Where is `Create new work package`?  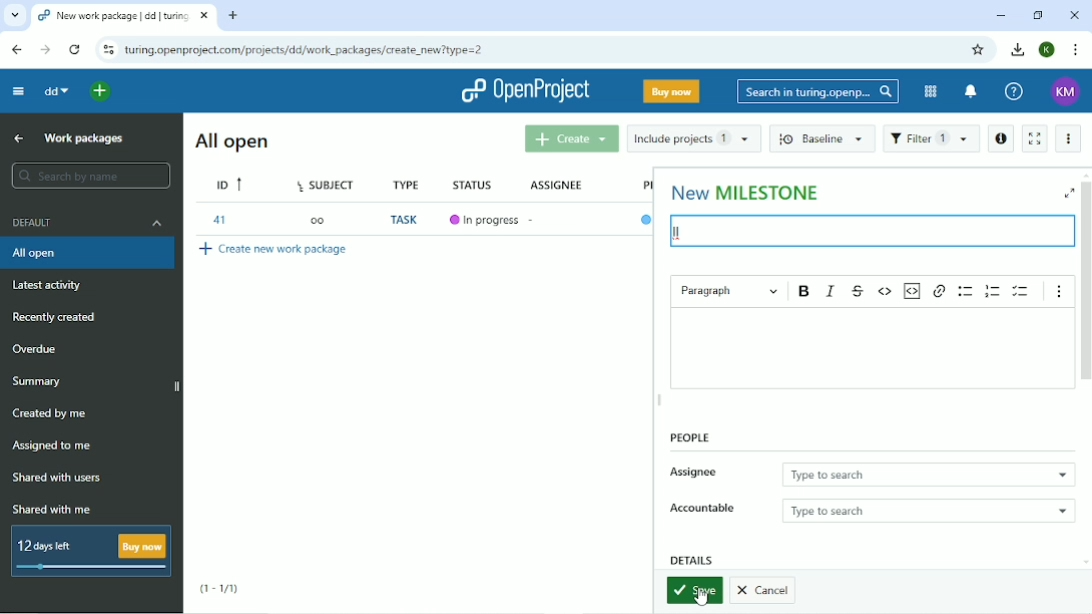
Create new work package is located at coordinates (274, 248).